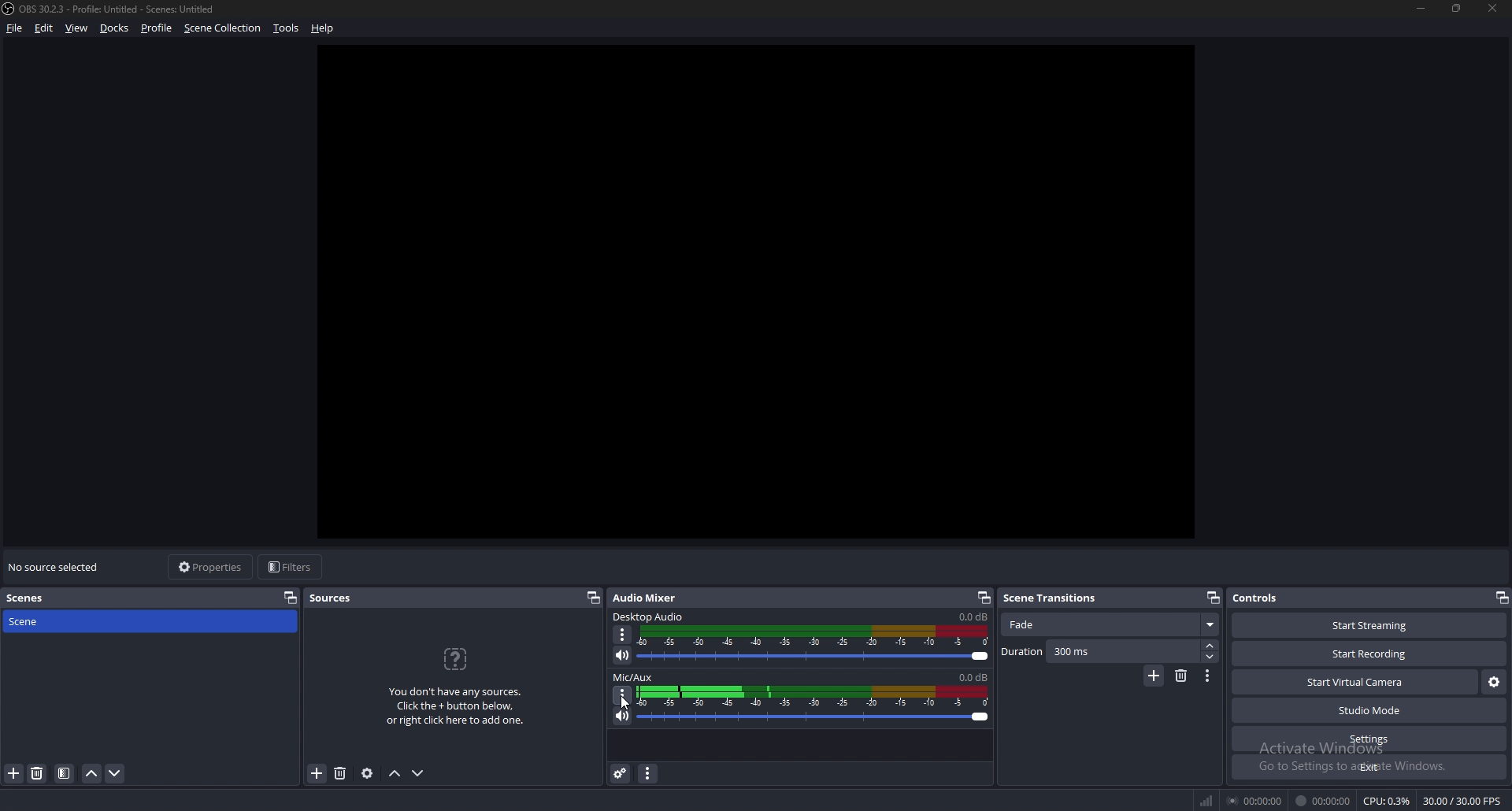  What do you see at coordinates (1262, 598) in the screenshot?
I see `controls` at bounding box center [1262, 598].